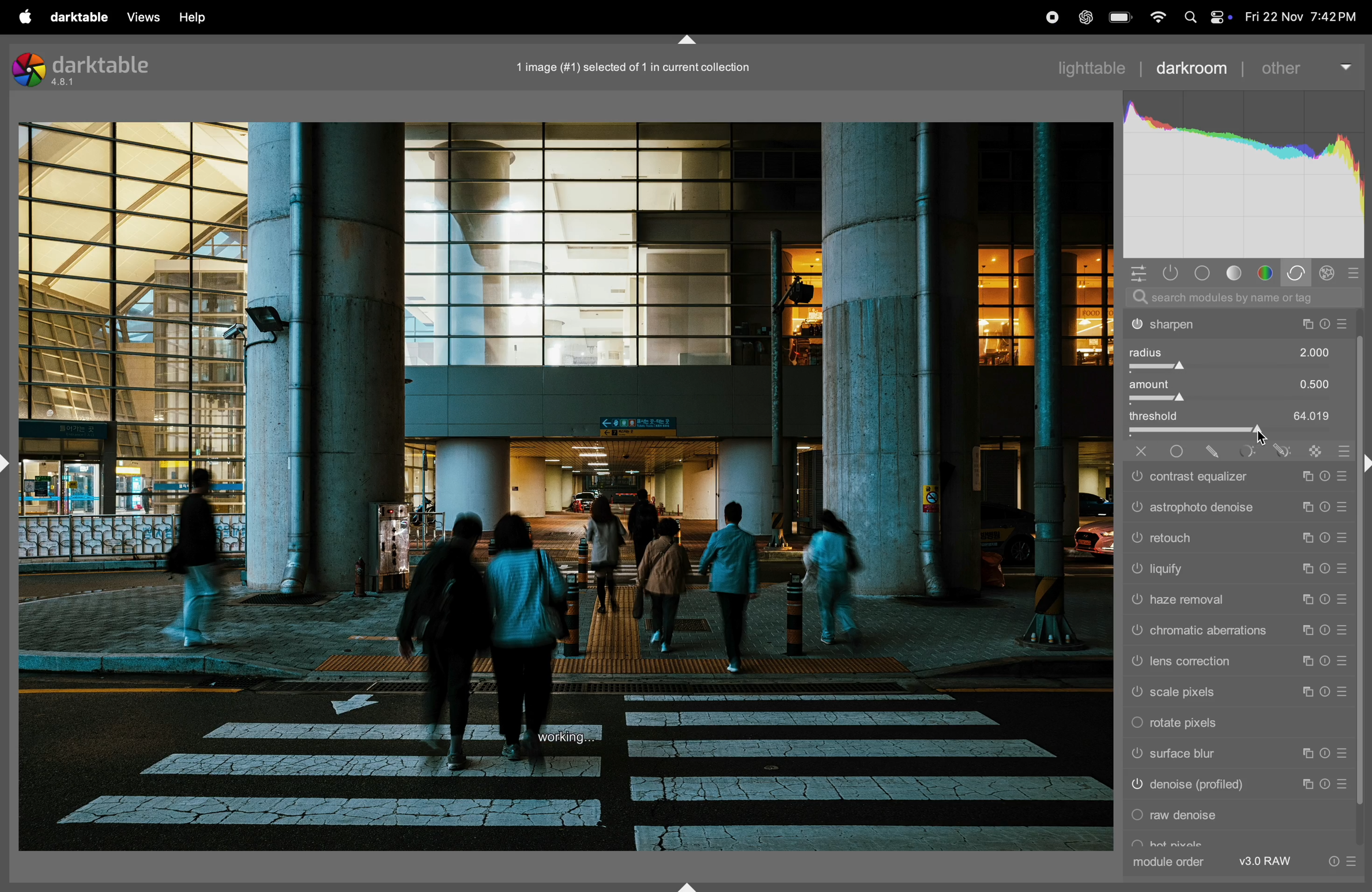 The image size is (1372, 892). I want to click on v 3 raw, so click(1269, 861).